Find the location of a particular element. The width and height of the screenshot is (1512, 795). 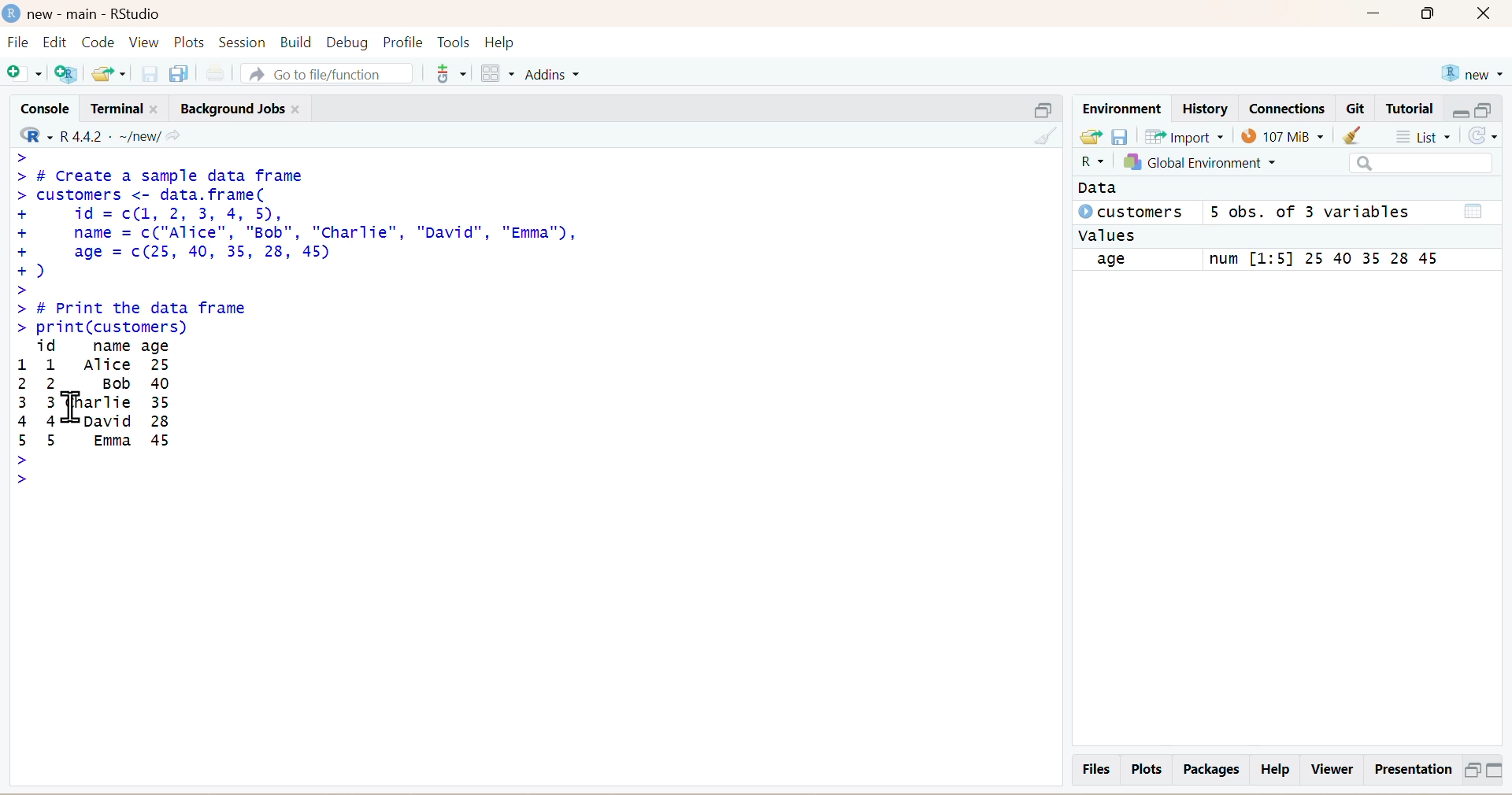

new is located at coordinates (1471, 71).